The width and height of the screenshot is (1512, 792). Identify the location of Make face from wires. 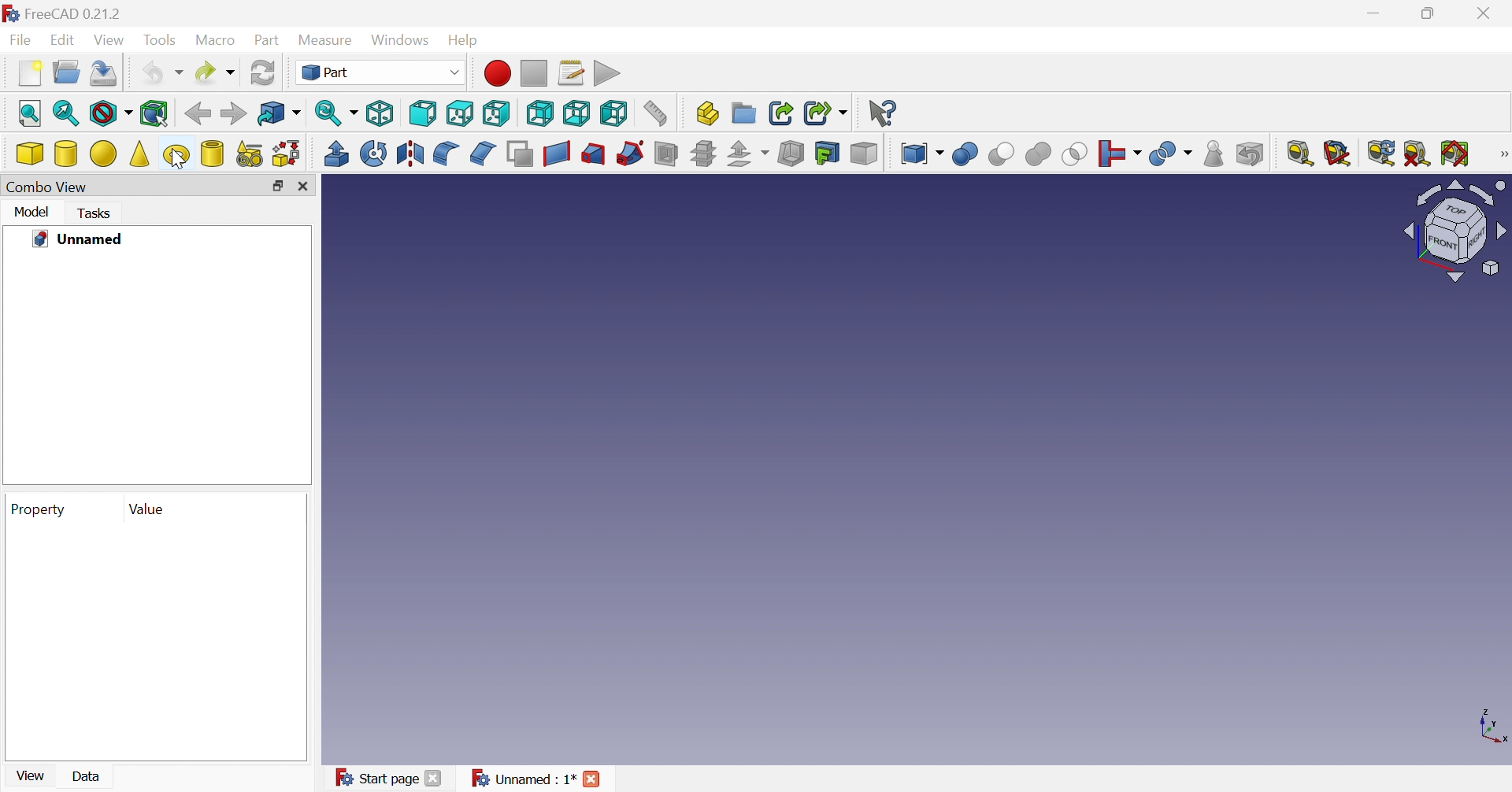
(520, 154).